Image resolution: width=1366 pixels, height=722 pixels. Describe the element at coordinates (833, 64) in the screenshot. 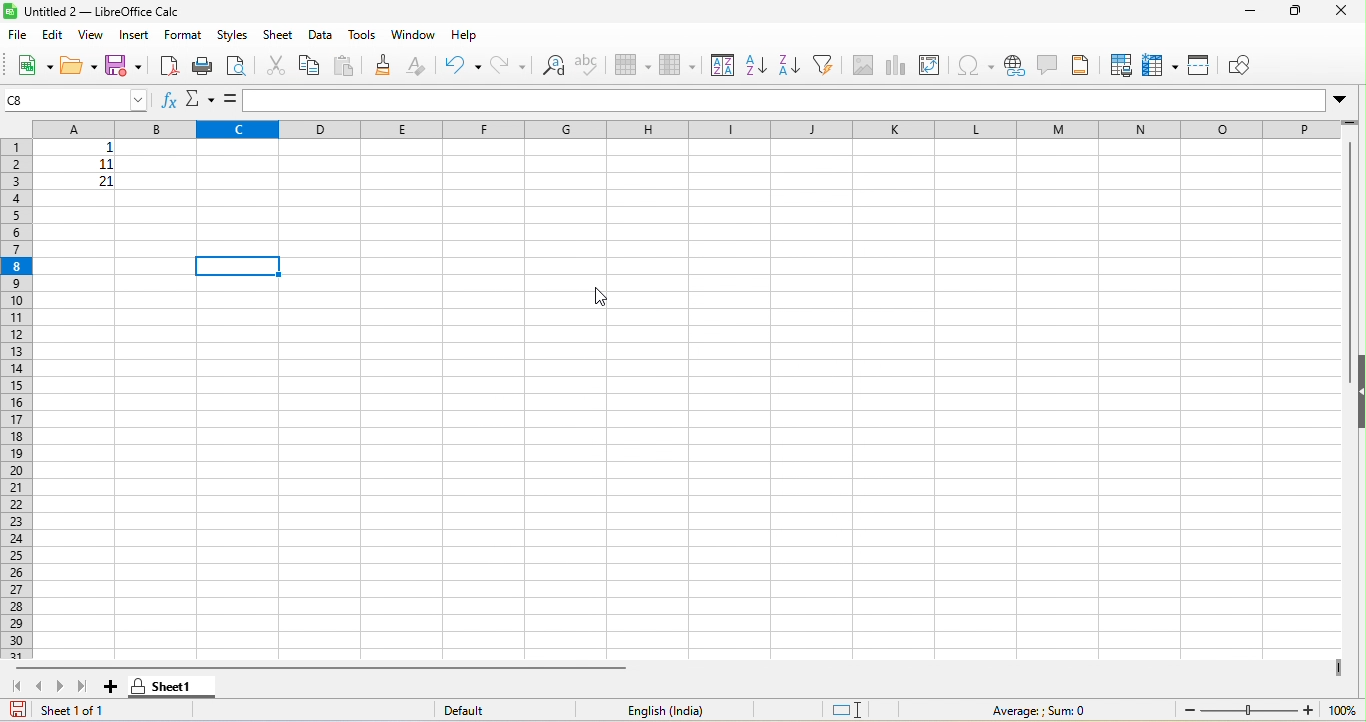

I see `filter` at that location.